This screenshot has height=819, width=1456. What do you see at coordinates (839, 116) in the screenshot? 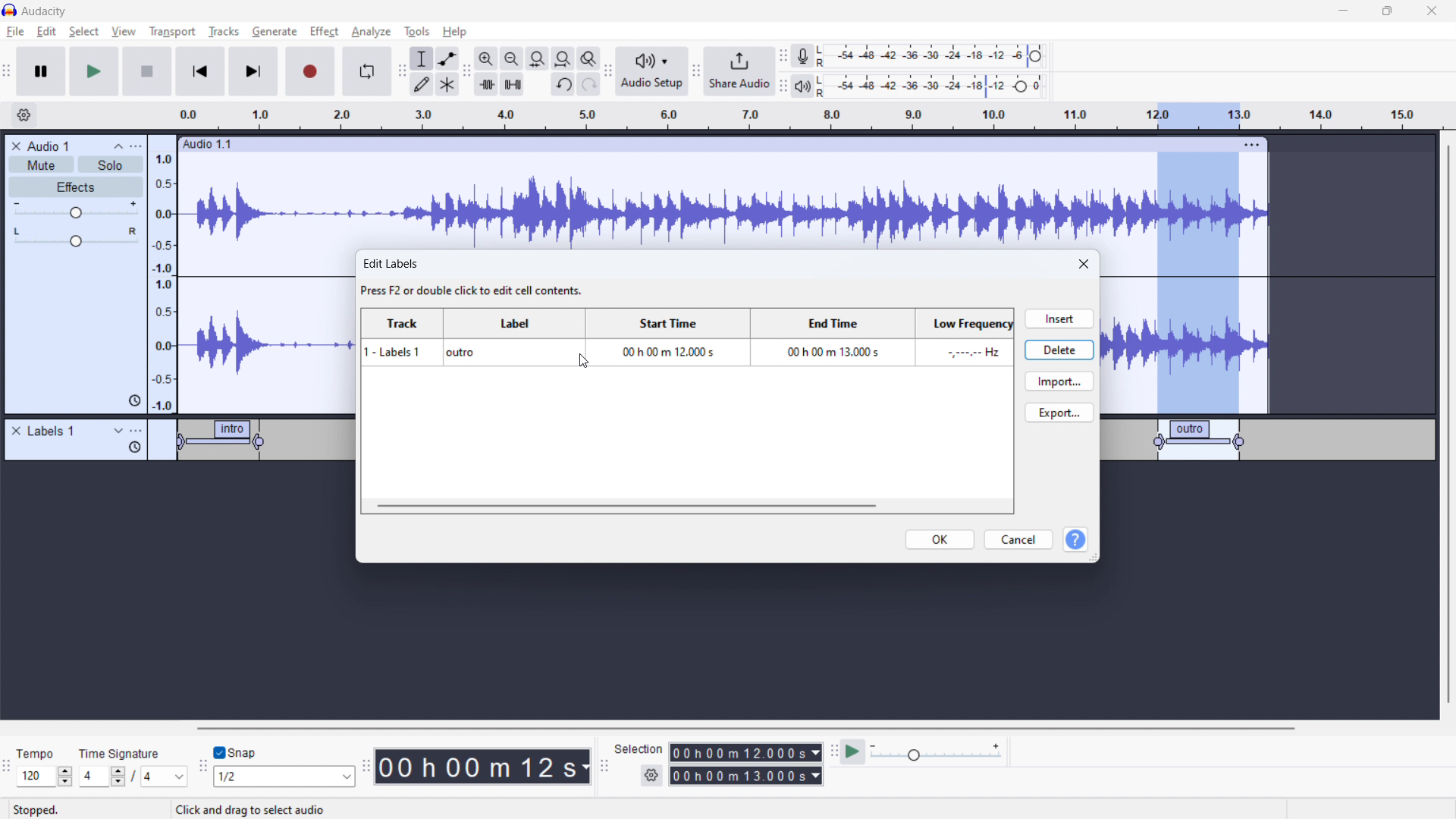
I see `timeline` at bounding box center [839, 116].